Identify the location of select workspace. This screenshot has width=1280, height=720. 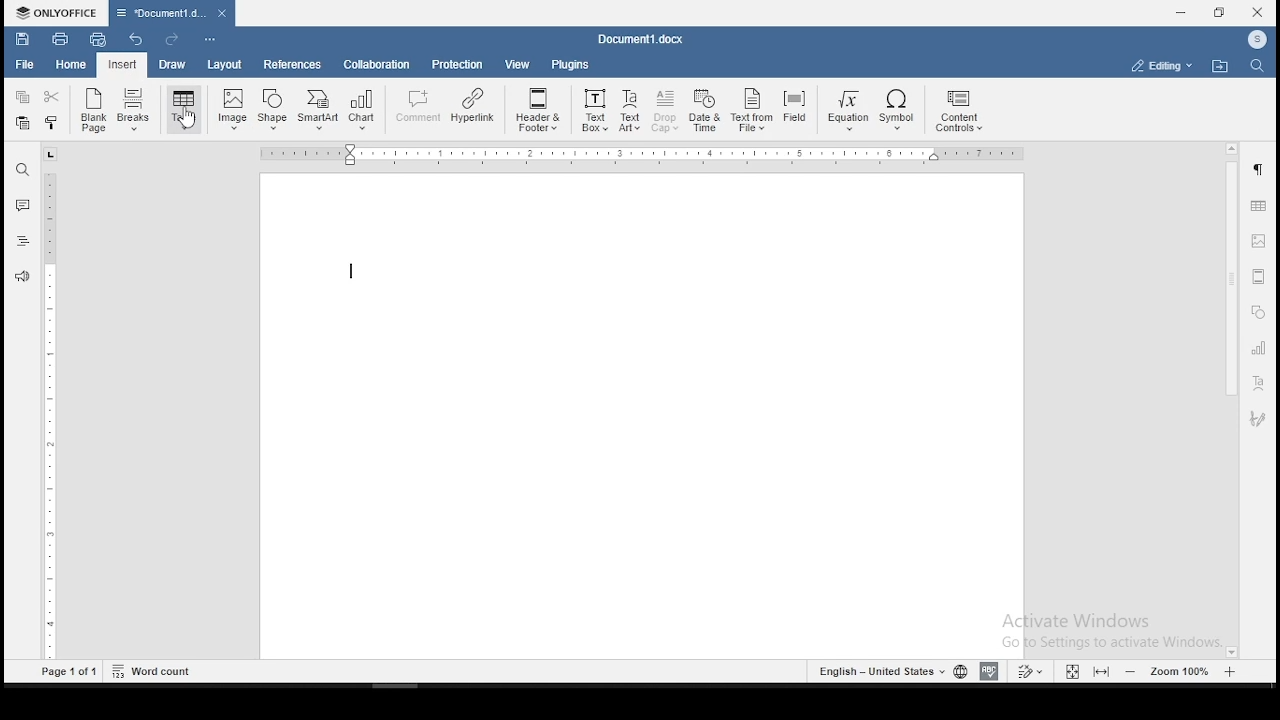
(1159, 64).